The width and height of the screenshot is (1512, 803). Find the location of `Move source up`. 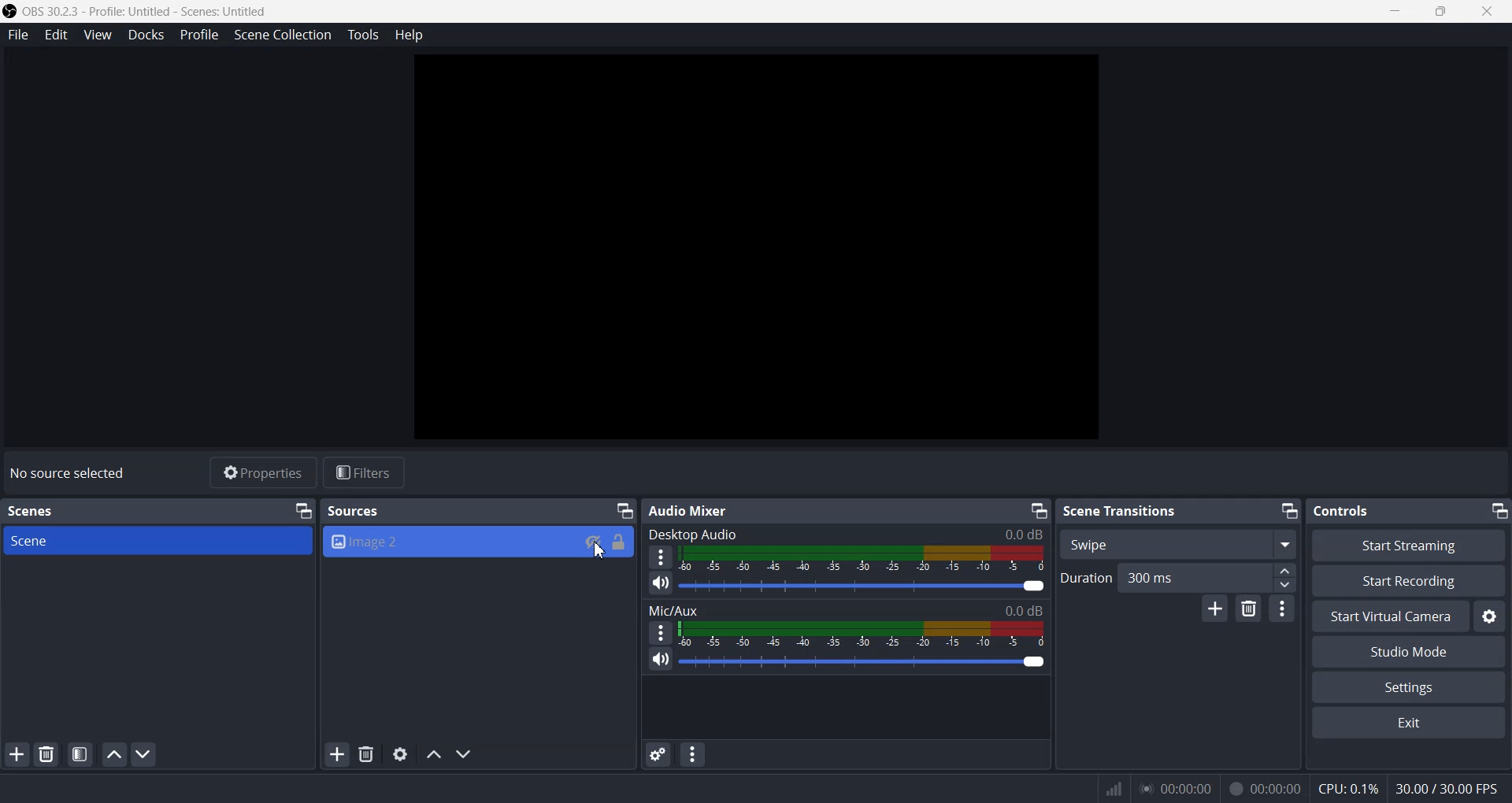

Move source up is located at coordinates (433, 755).